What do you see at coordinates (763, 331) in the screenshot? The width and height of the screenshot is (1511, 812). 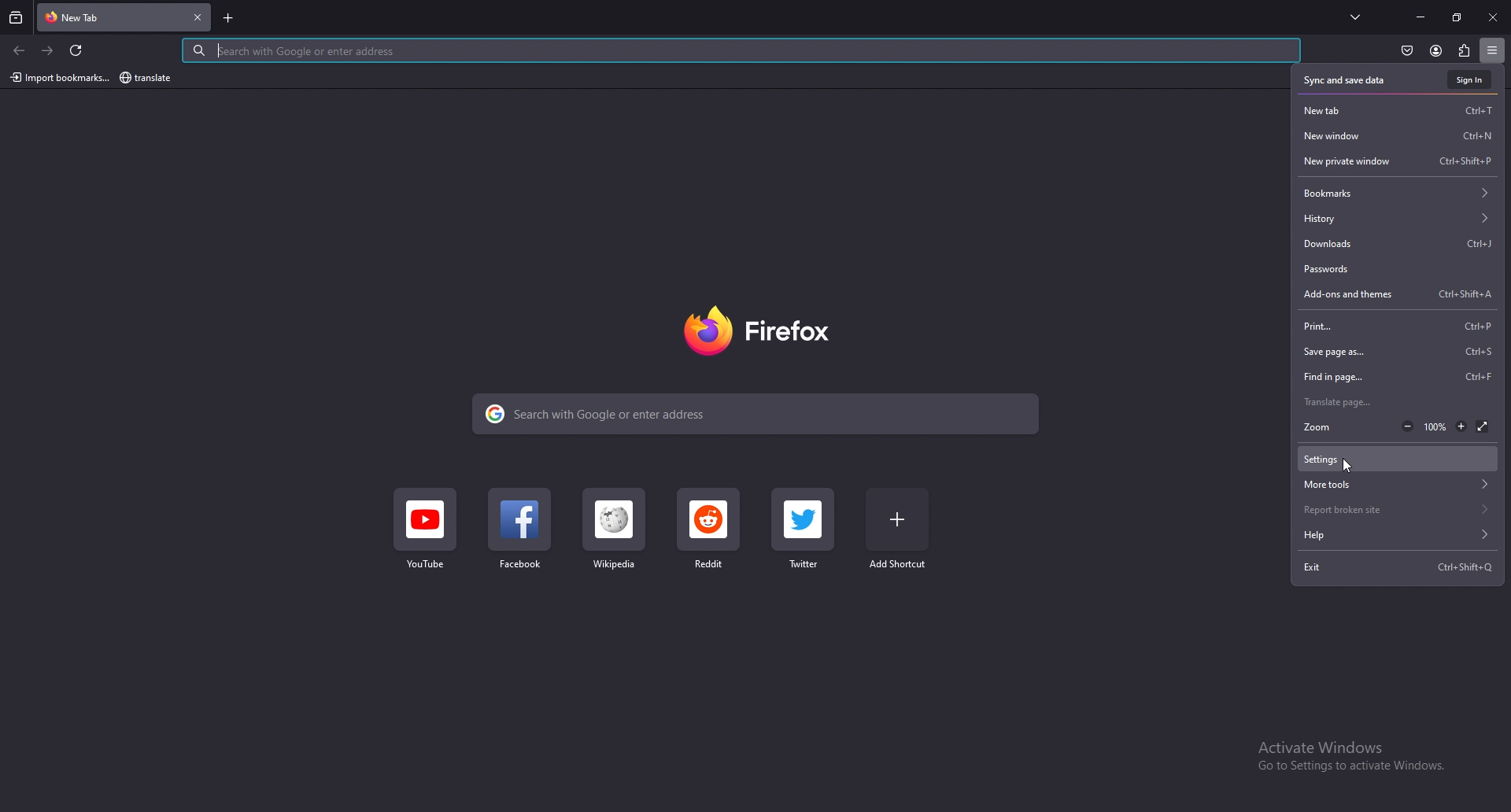 I see `firefox` at bounding box center [763, 331].